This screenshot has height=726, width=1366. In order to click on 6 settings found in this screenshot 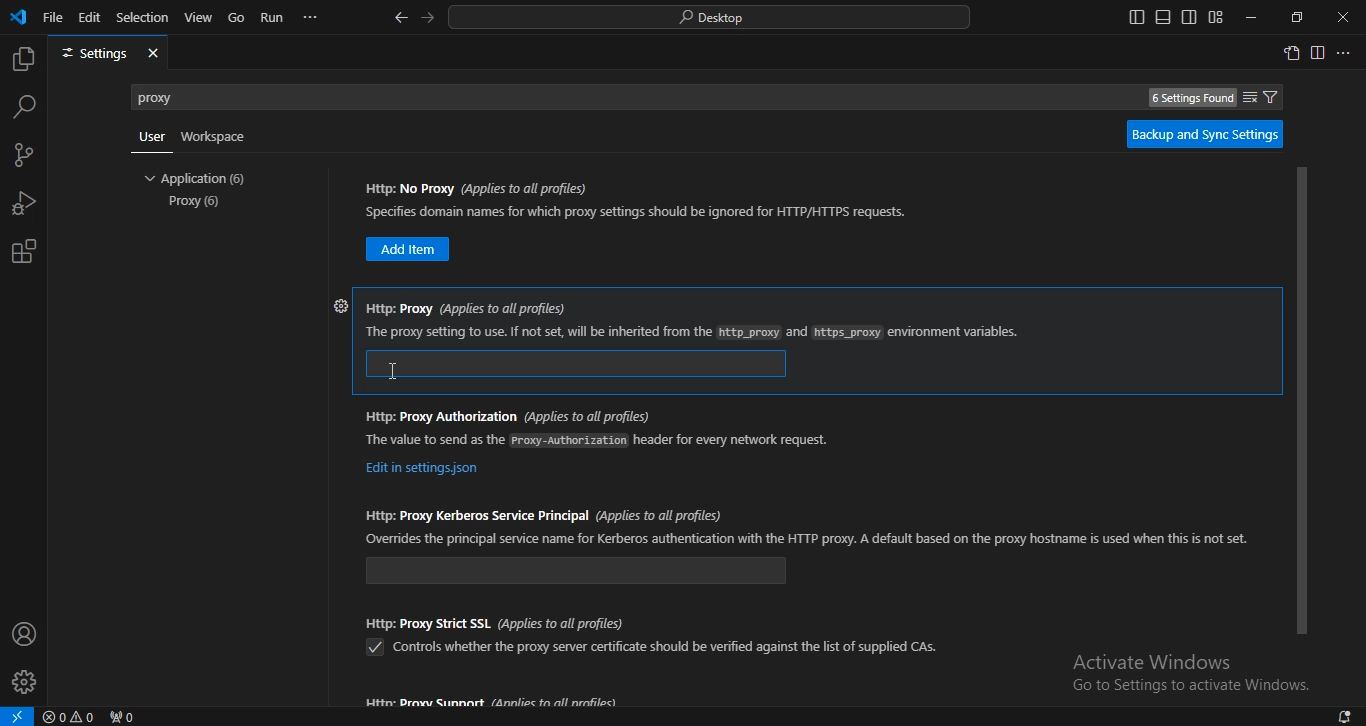, I will do `click(1187, 100)`.